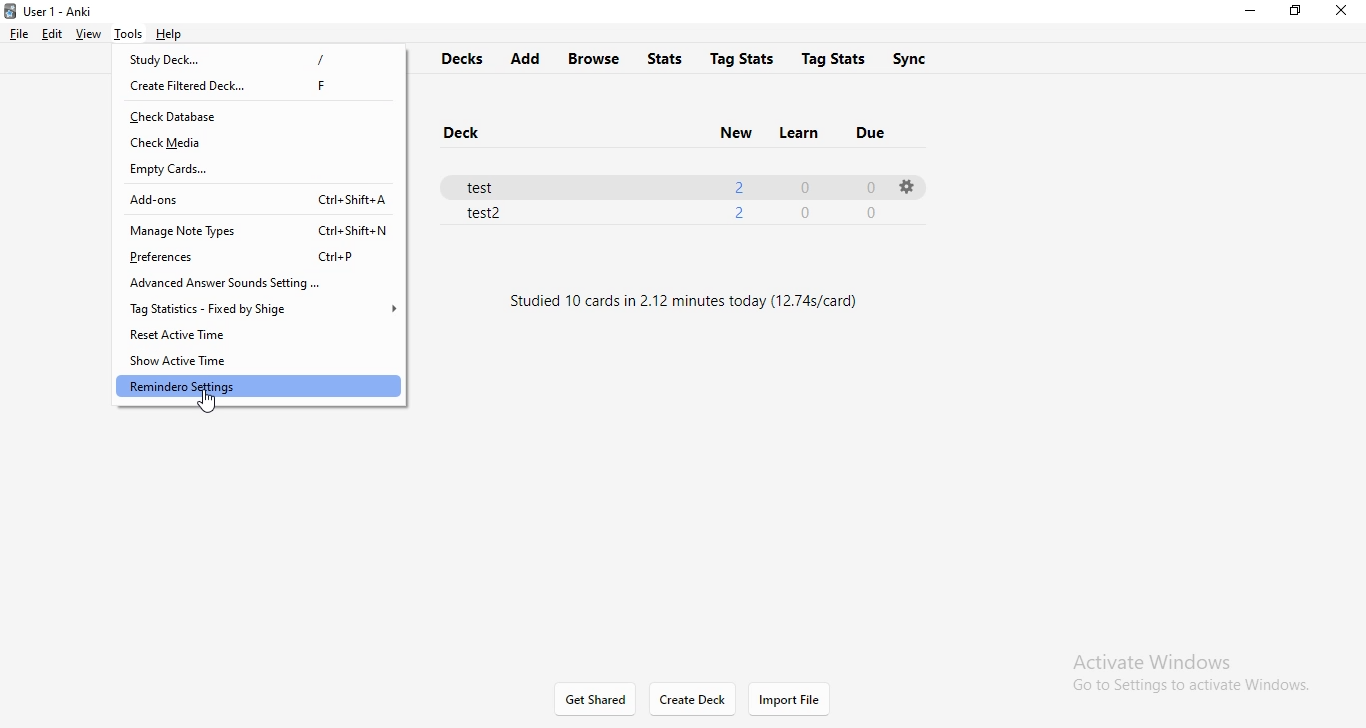  Describe the element at coordinates (467, 134) in the screenshot. I see `deck` at that location.